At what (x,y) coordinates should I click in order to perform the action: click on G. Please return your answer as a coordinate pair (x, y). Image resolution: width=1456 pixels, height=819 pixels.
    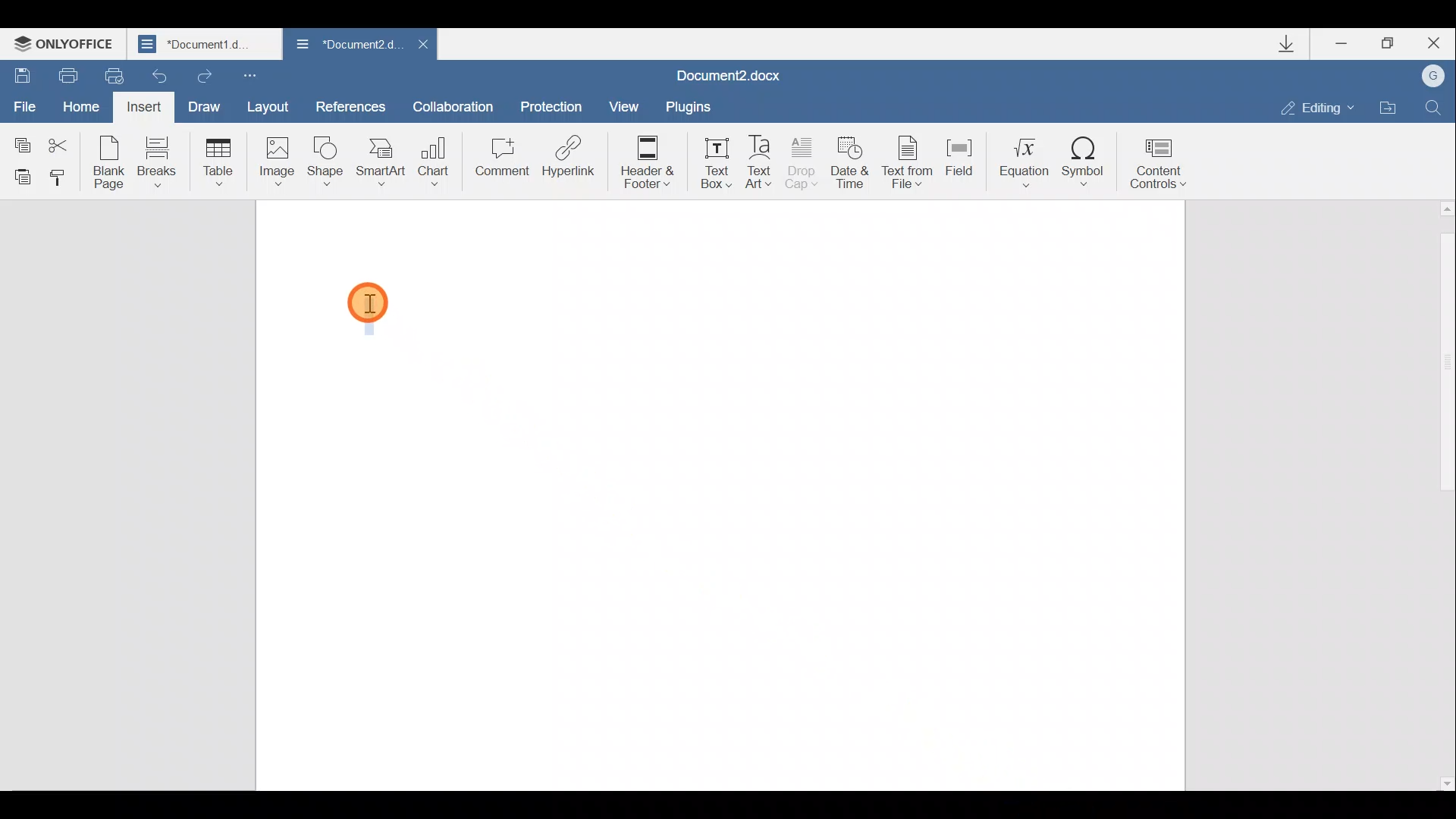
    Looking at the image, I should click on (1435, 75).